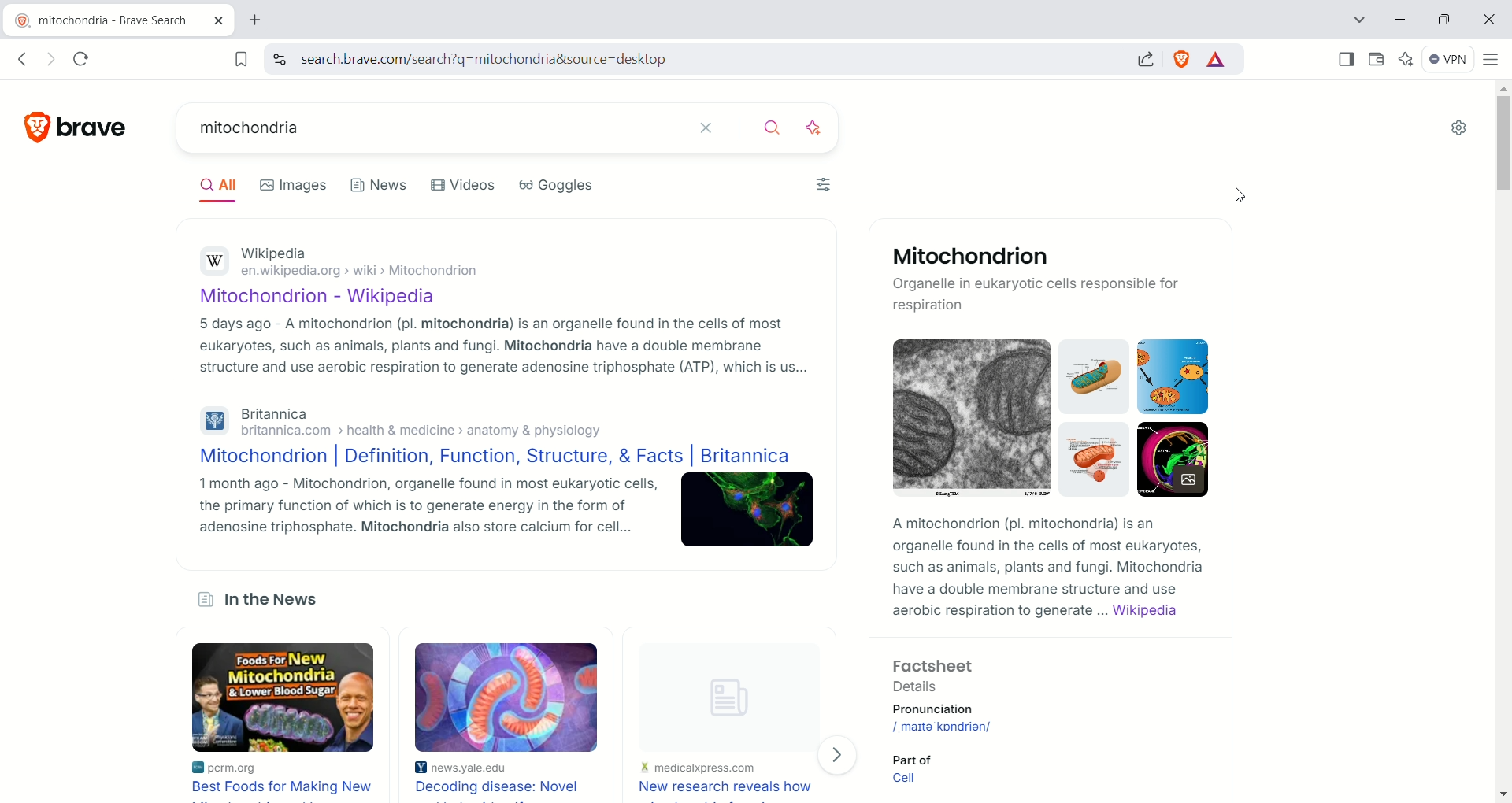 This screenshot has width=1512, height=803. What do you see at coordinates (1023, 256) in the screenshot?
I see `Mitochondrion` at bounding box center [1023, 256].